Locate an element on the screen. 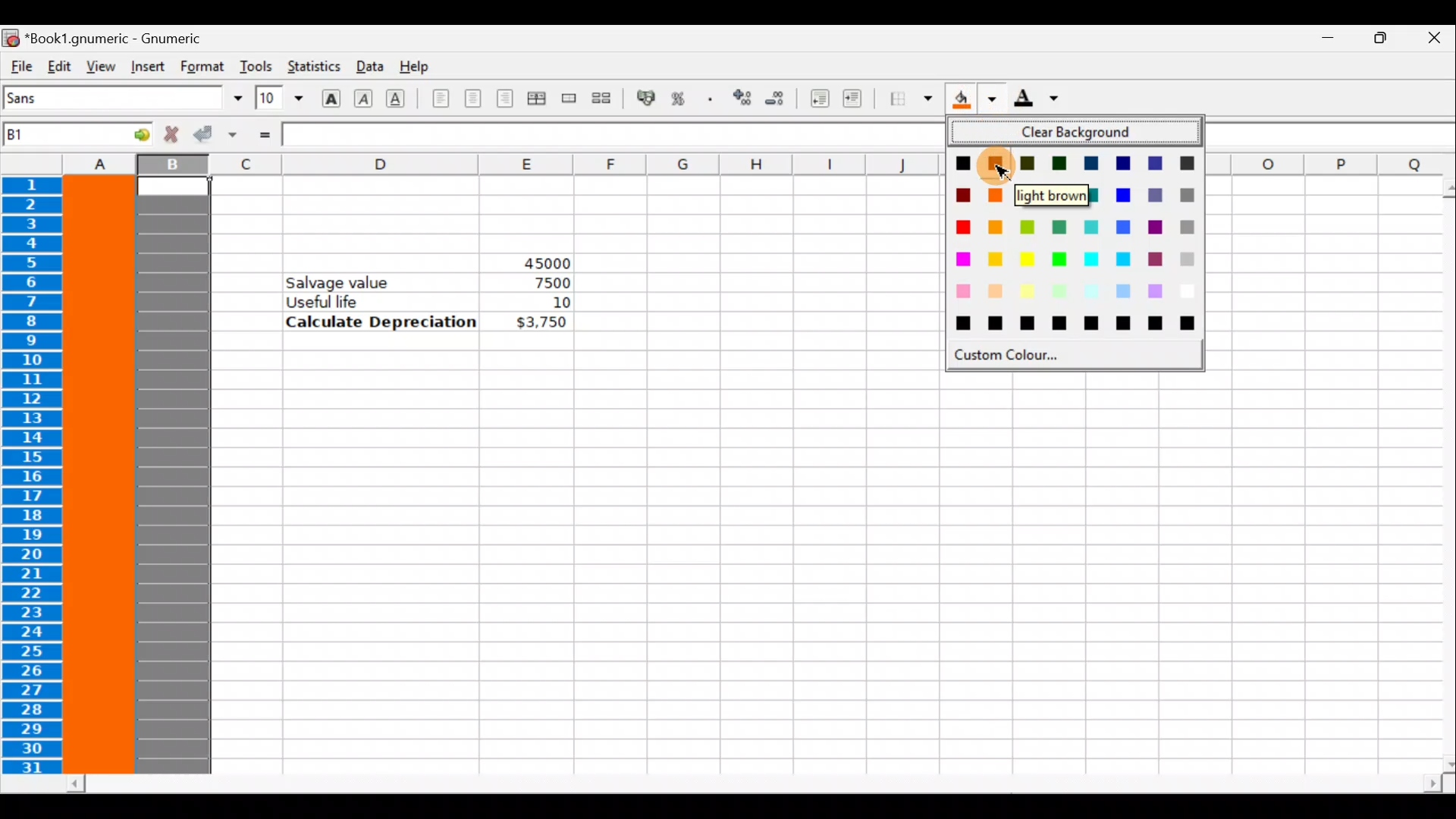 The height and width of the screenshot is (819, 1456). Scroll bar is located at coordinates (1438, 475).